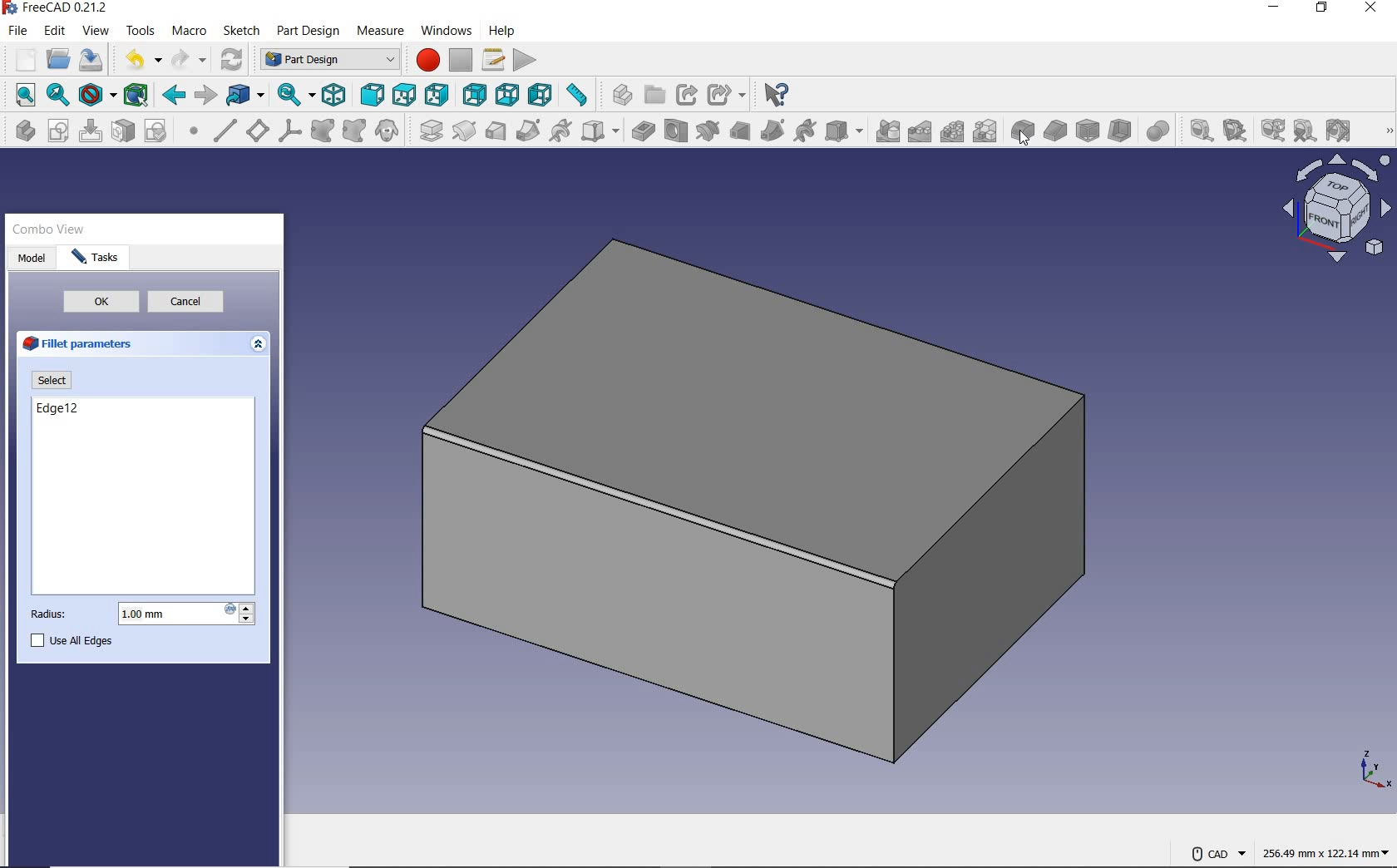 This screenshot has width=1397, height=868. Describe the element at coordinates (667, 522) in the screenshot. I see `Rounded edge` at that location.